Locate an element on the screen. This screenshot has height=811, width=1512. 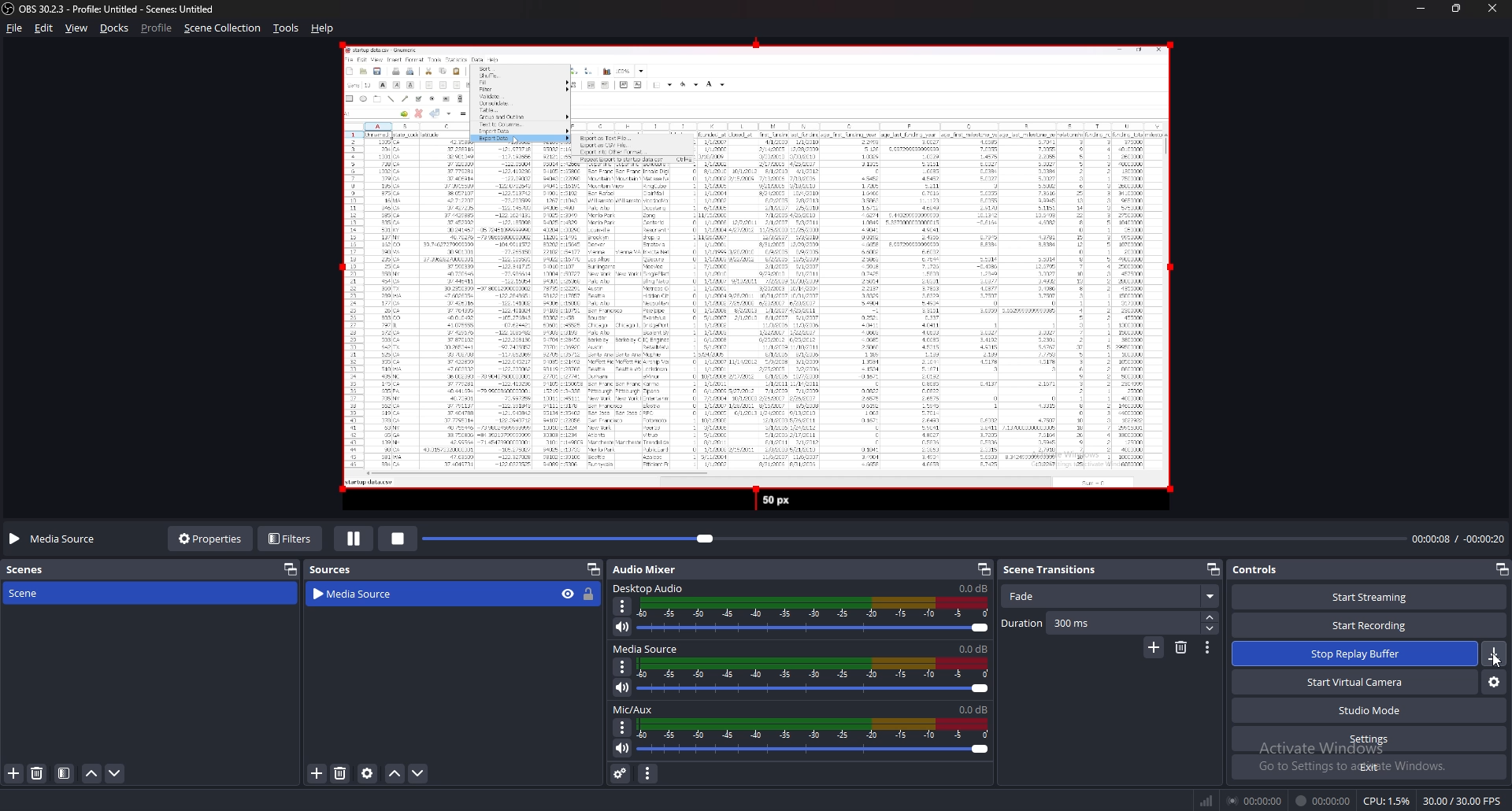
resize is located at coordinates (1455, 8).